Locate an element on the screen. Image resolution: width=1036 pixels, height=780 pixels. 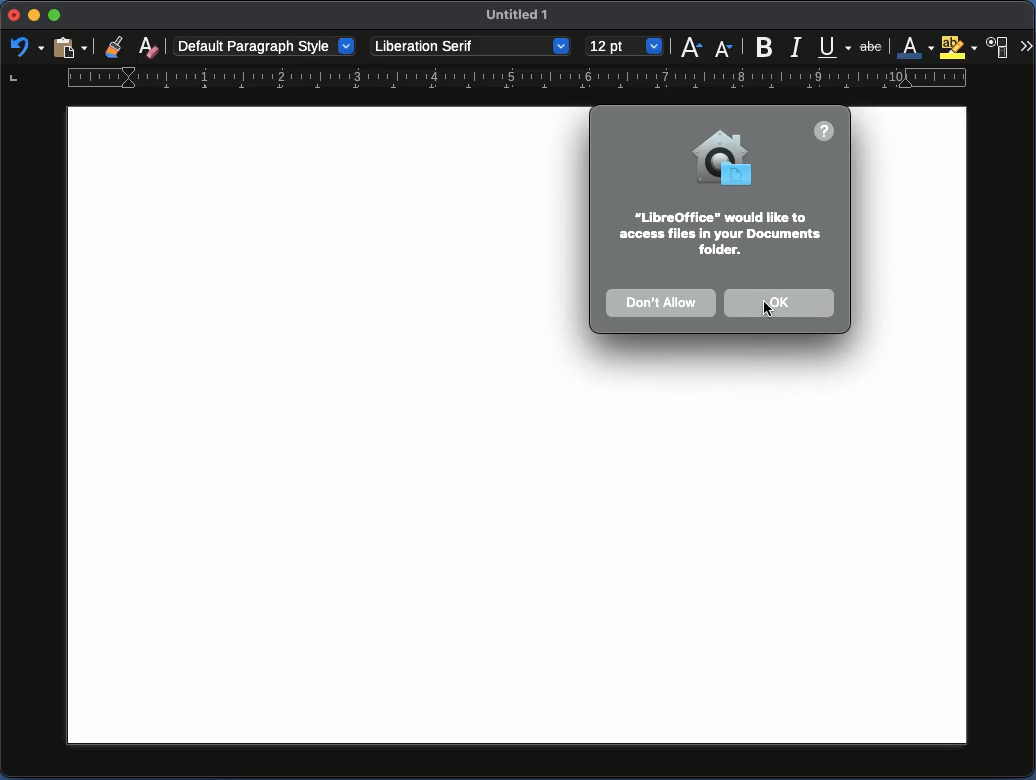
Size decrease is located at coordinates (724, 46).